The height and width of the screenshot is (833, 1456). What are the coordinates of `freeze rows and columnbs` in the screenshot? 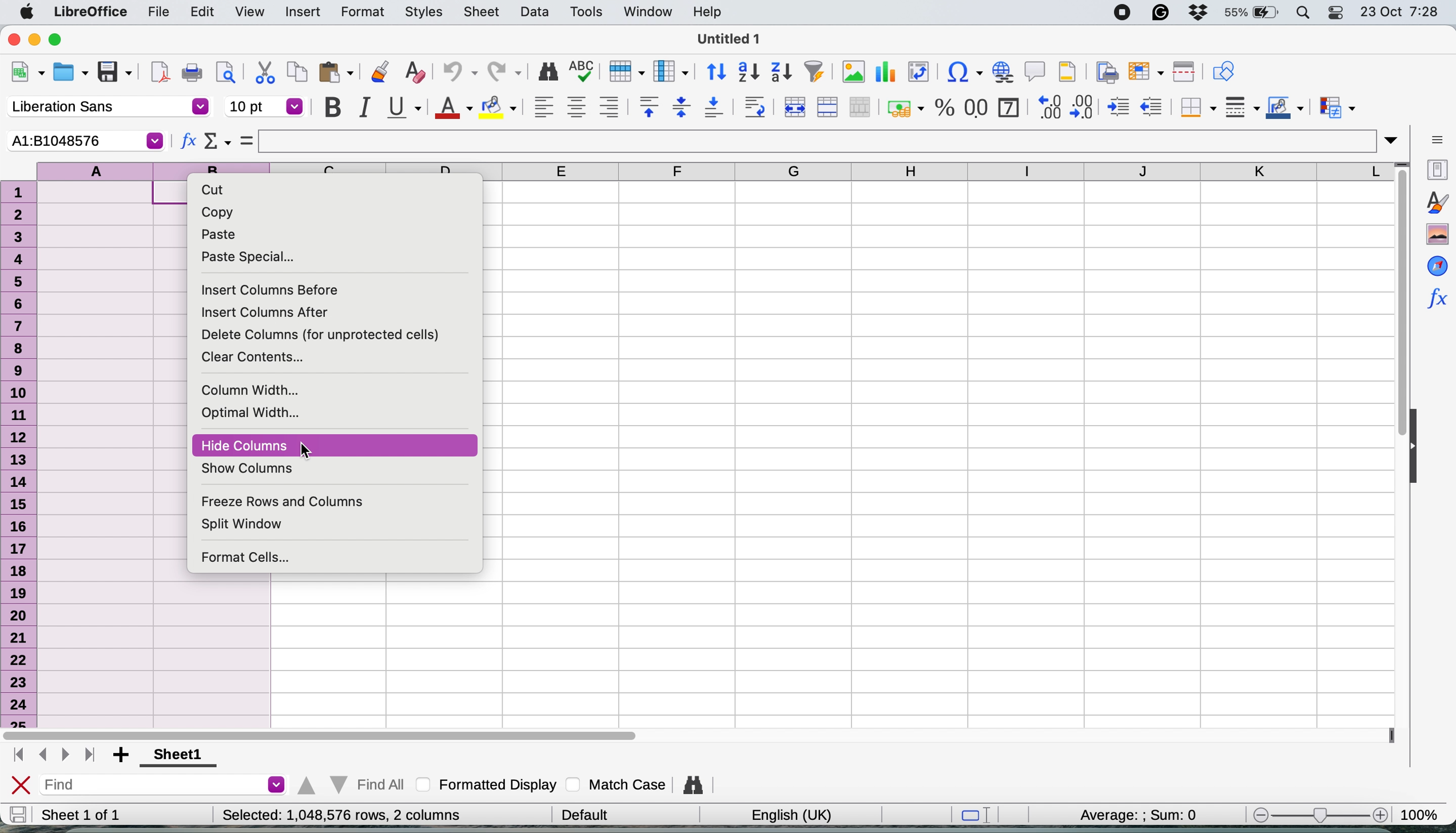 It's located at (1147, 72).